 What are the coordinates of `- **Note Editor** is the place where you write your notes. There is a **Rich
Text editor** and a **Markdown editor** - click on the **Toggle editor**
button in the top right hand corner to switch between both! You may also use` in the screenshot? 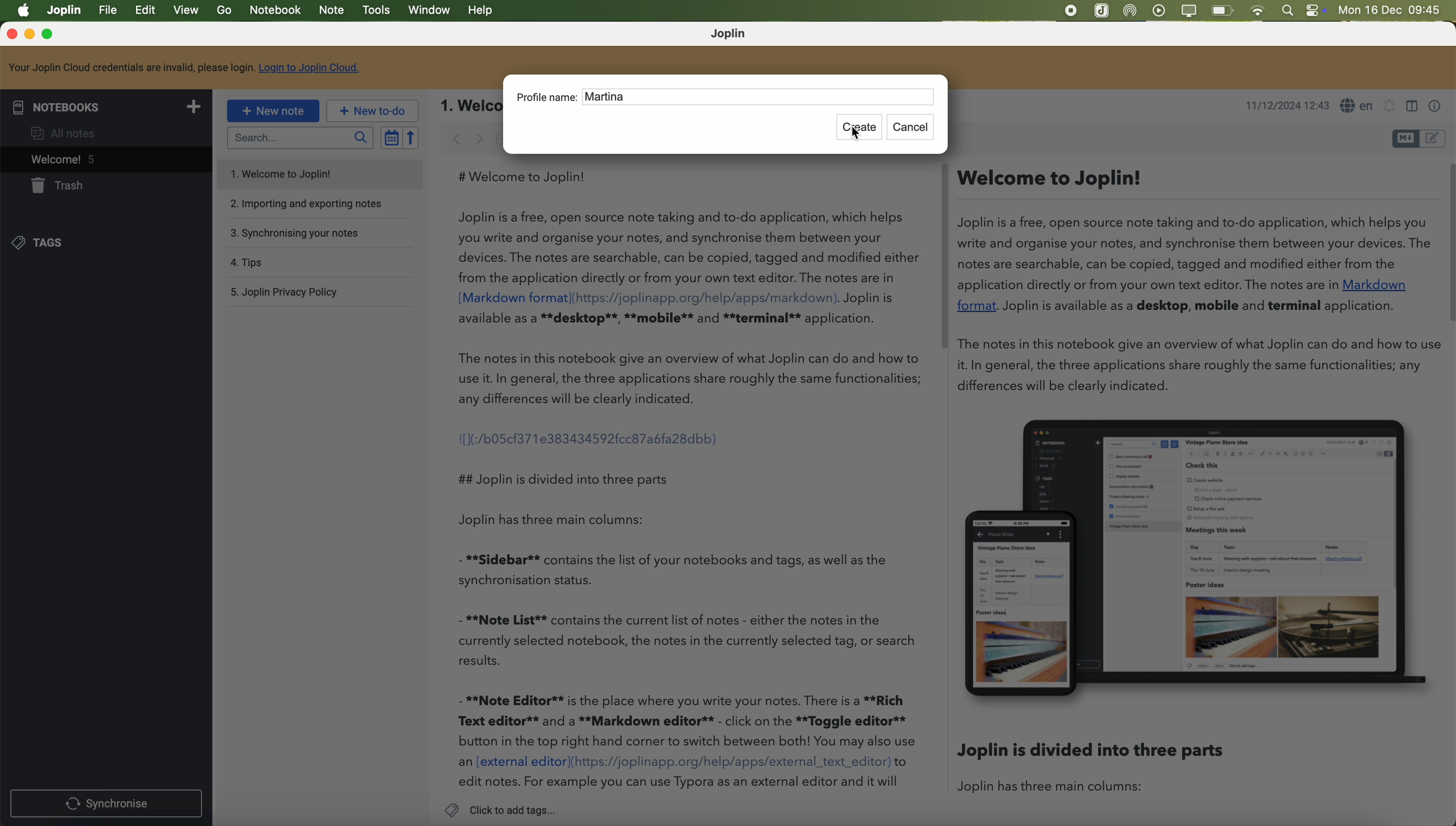 It's located at (687, 720).